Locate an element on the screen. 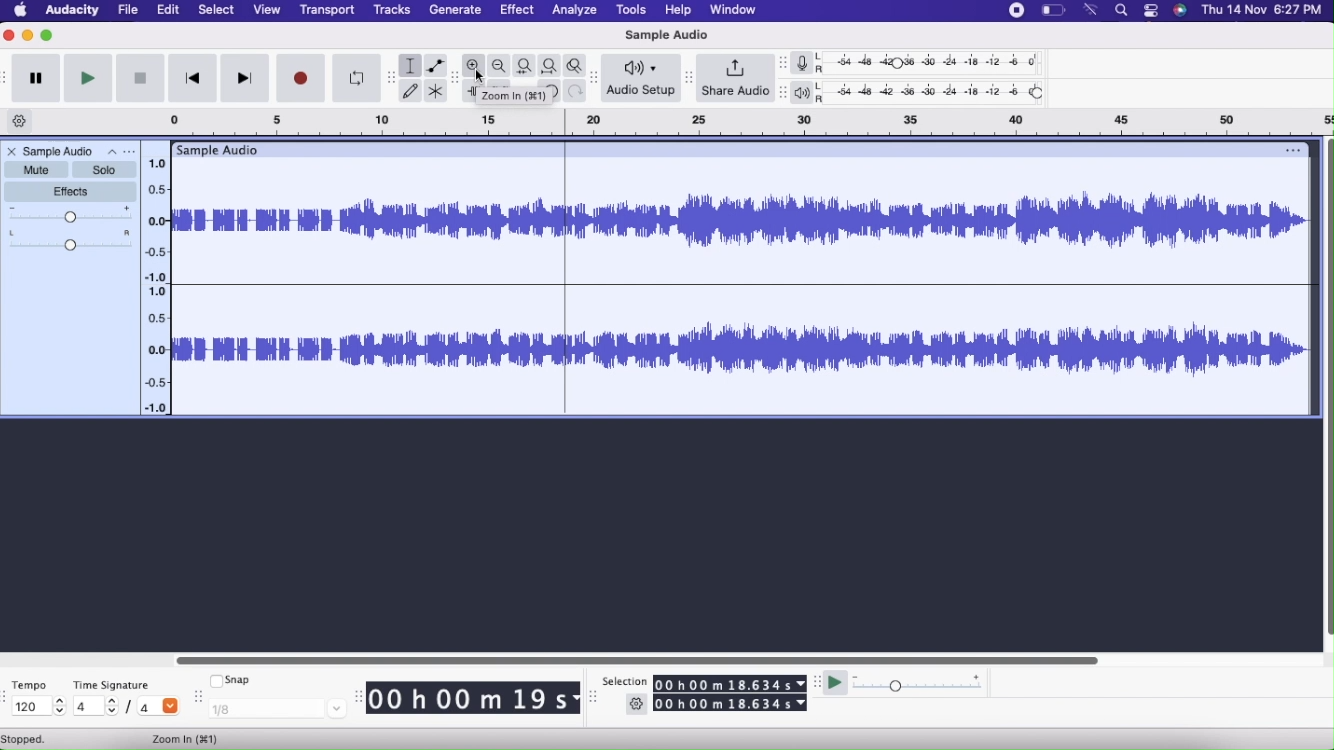 This screenshot has width=1334, height=750. Share Audio is located at coordinates (735, 78).